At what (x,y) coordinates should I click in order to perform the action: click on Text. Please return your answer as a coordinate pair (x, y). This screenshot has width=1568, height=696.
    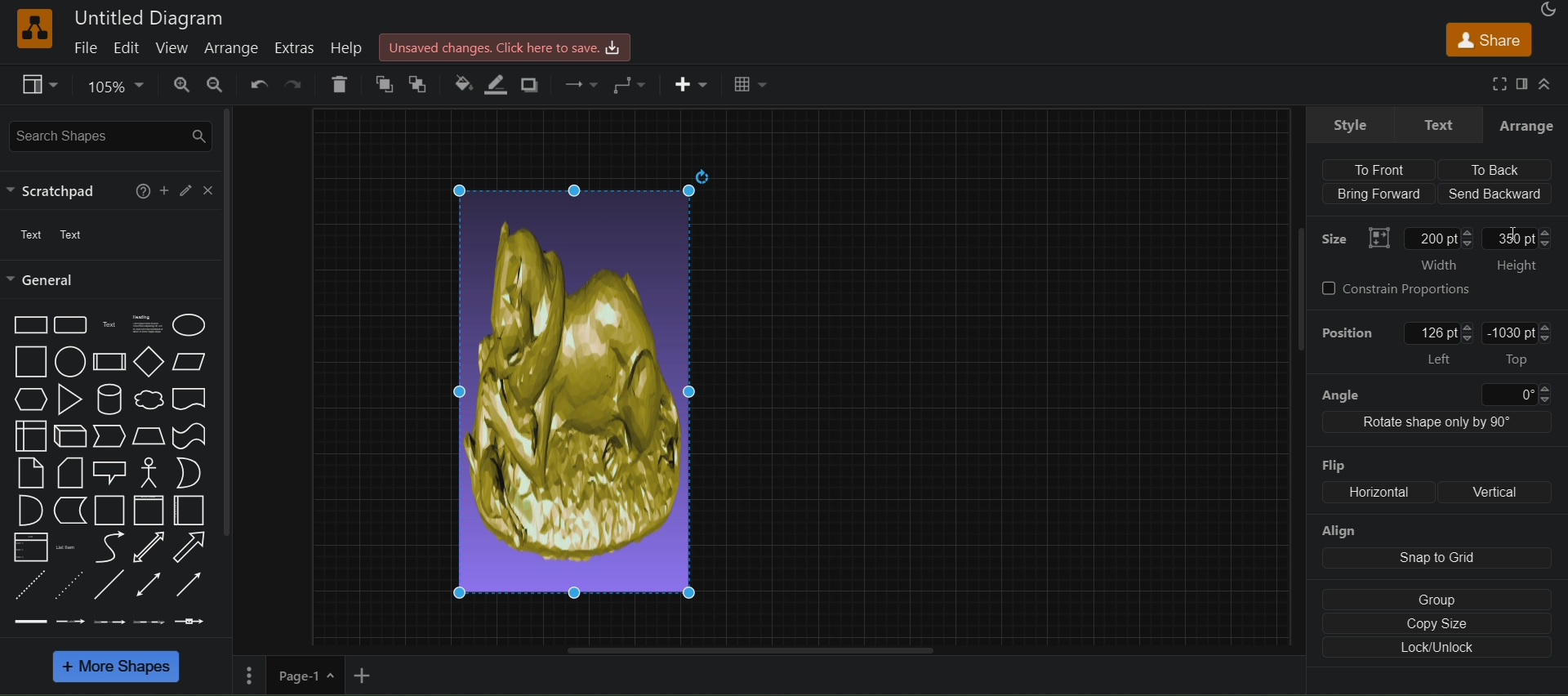
    Looking at the image, I should click on (77, 234).